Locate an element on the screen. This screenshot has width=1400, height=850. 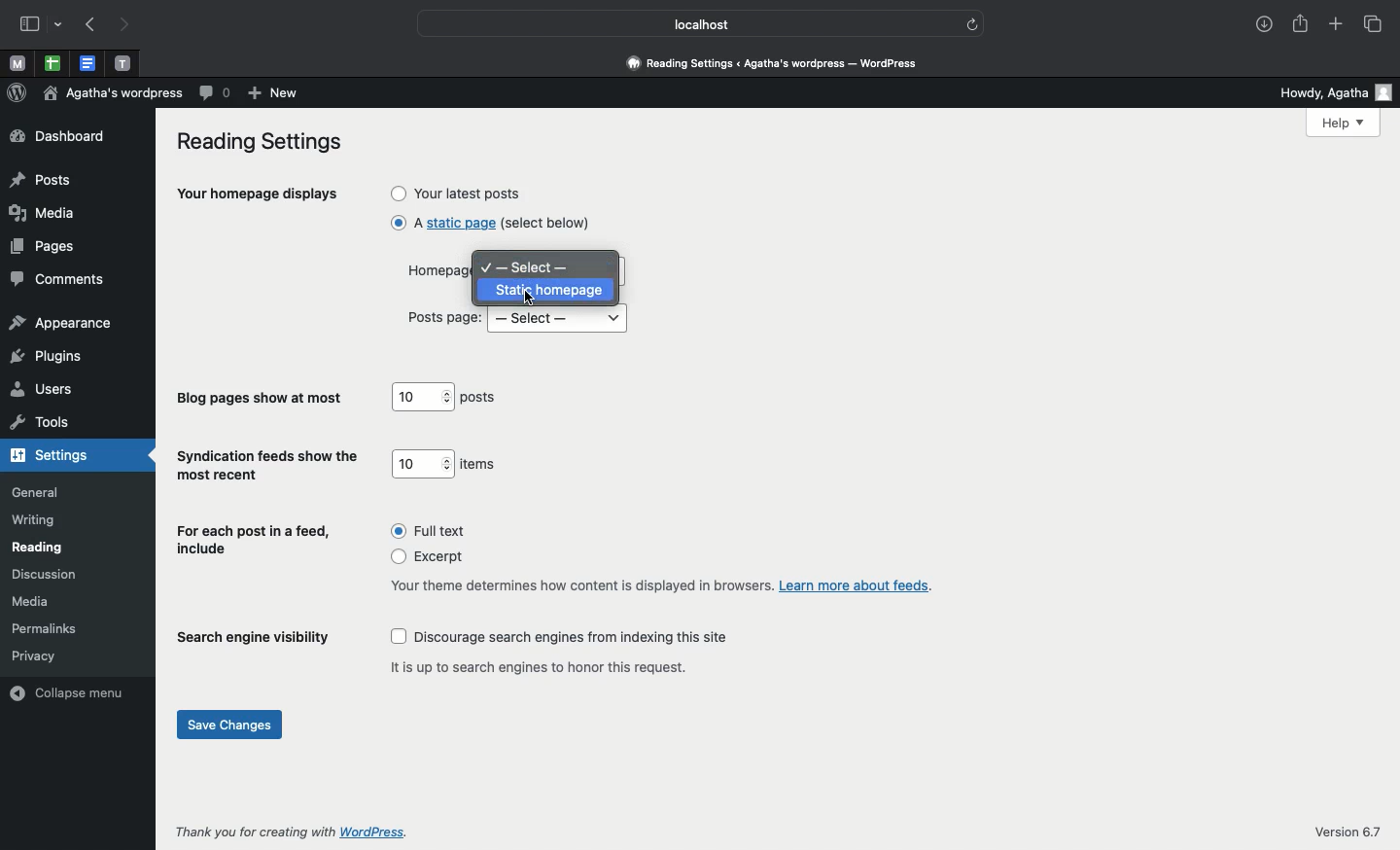
Pinned tabs is located at coordinates (91, 62).